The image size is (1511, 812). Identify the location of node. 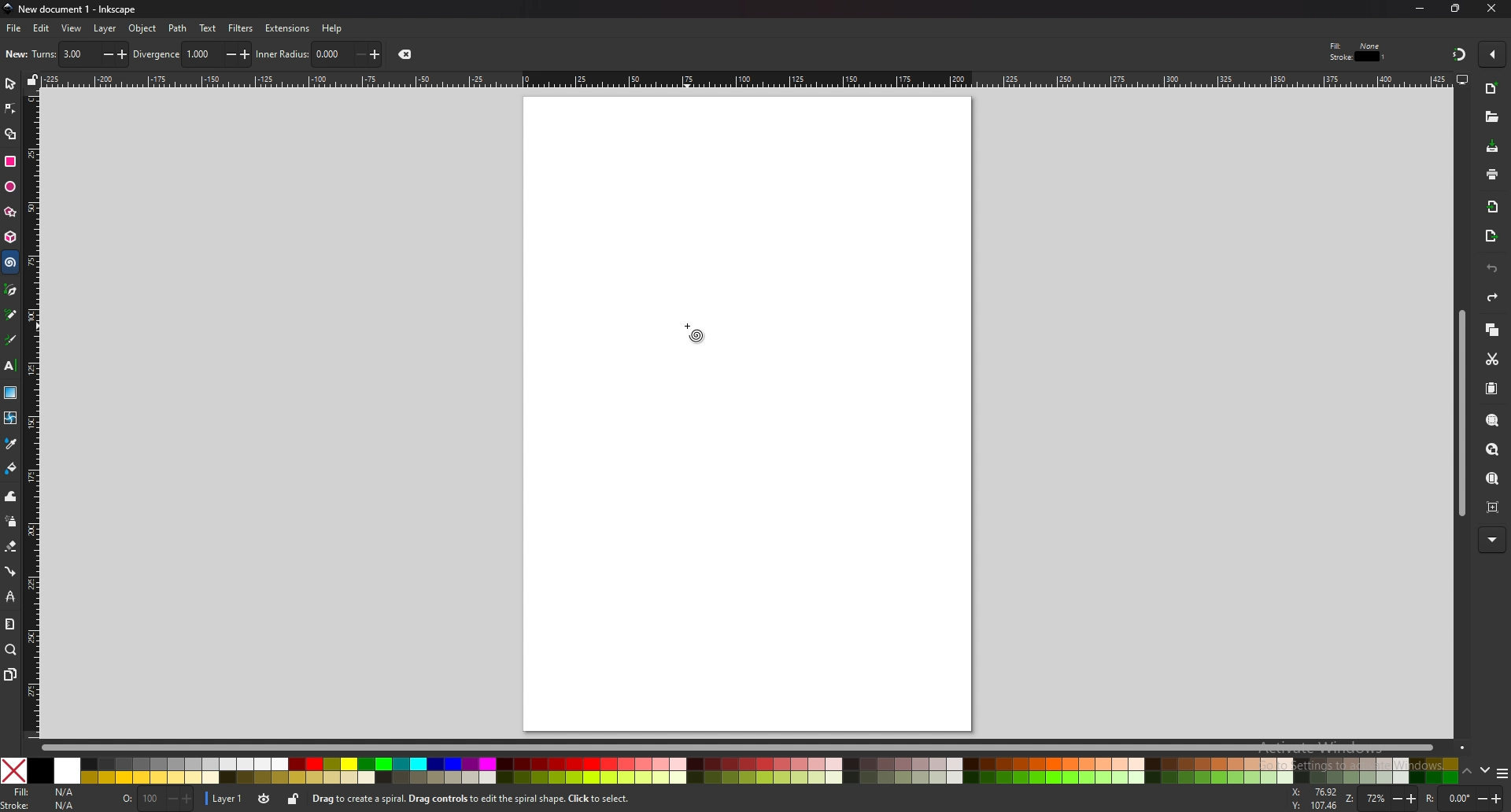
(10, 109).